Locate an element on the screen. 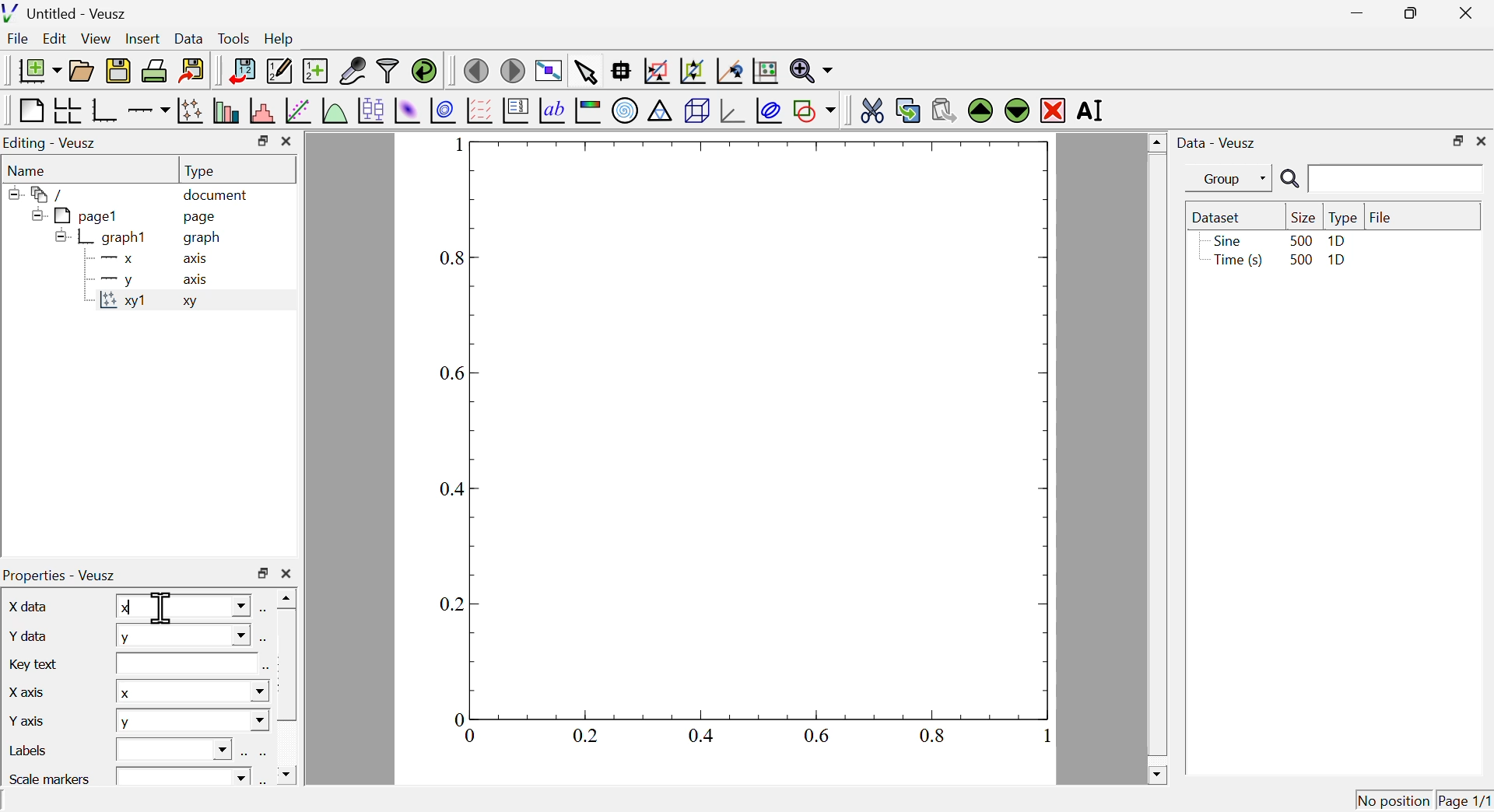 Image resolution: width=1494 pixels, height=812 pixels. move the selected widget up is located at coordinates (980, 110).